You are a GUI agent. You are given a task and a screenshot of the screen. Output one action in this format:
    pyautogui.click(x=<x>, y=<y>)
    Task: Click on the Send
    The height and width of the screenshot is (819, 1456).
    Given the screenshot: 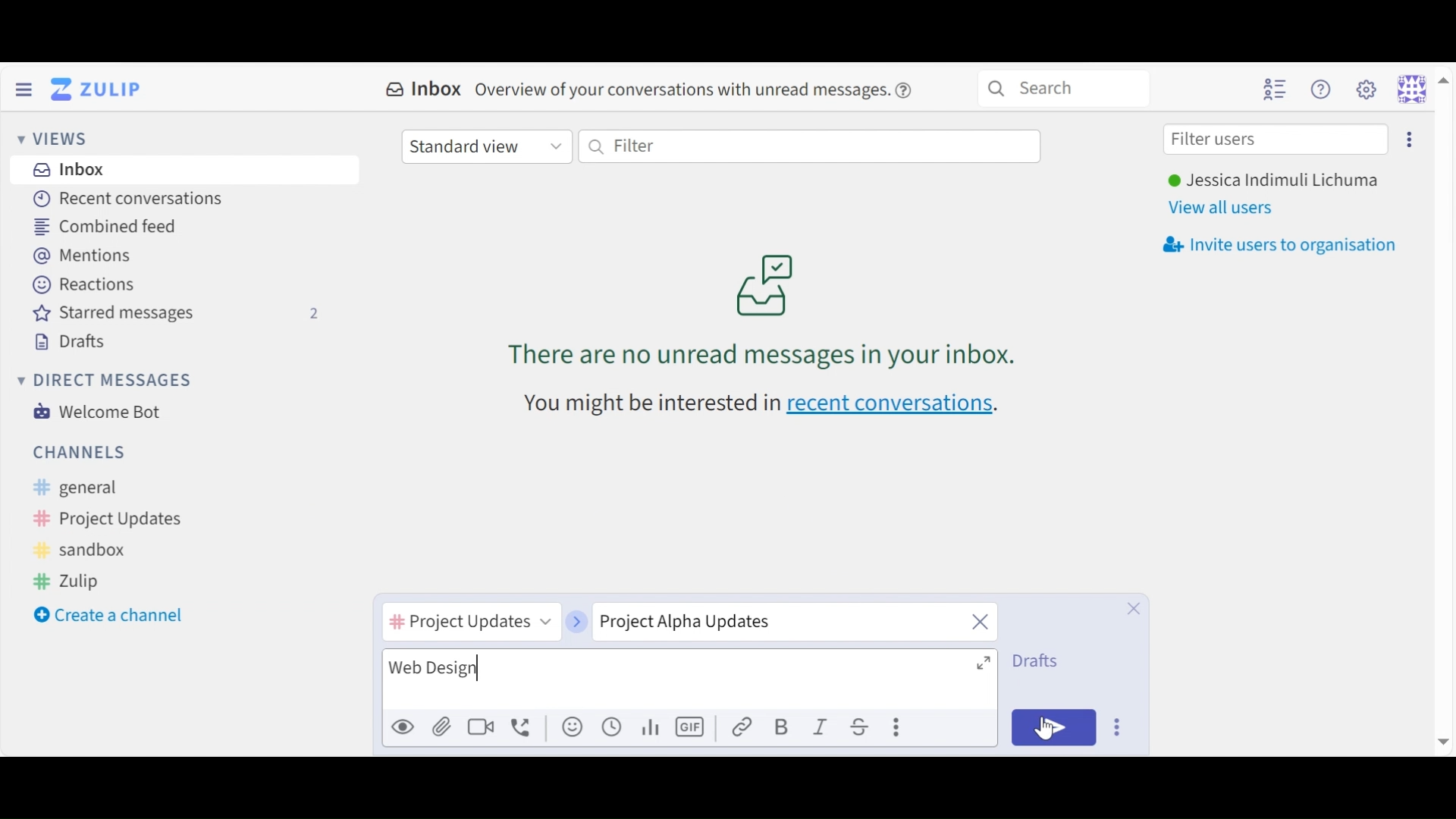 What is the action you would take?
    pyautogui.click(x=1053, y=727)
    